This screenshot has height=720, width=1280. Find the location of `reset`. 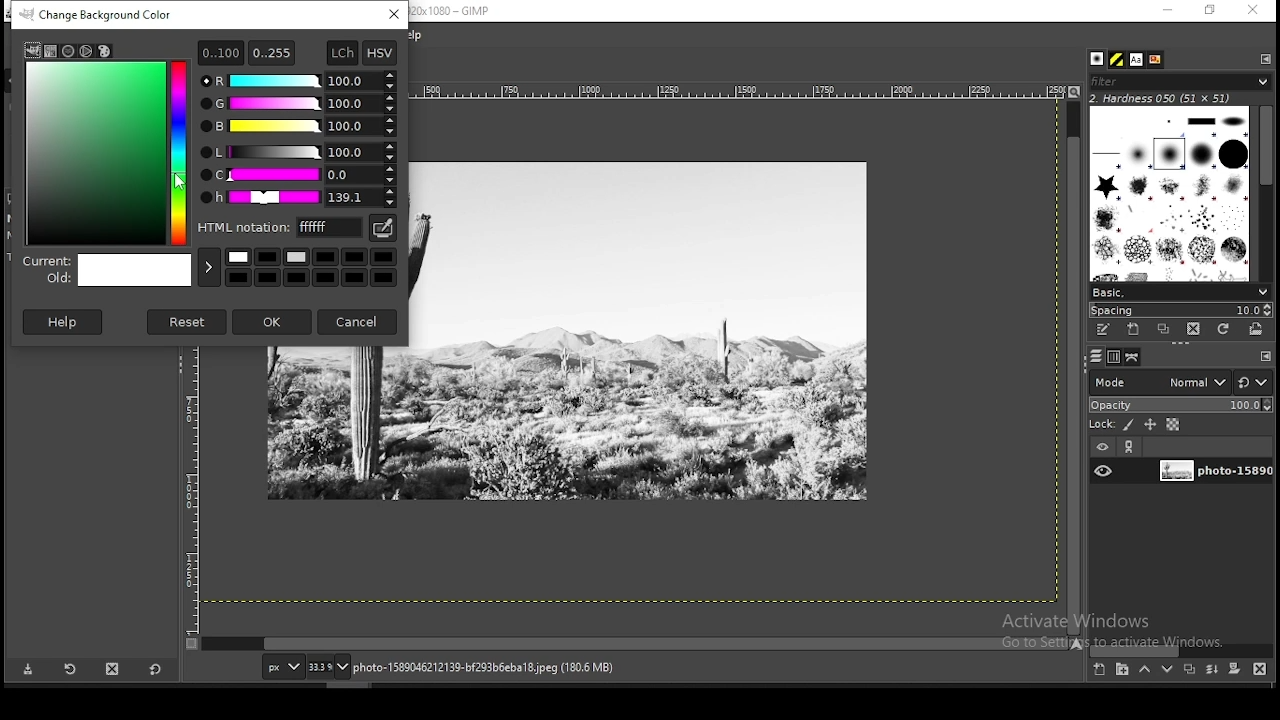

reset is located at coordinates (188, 321).